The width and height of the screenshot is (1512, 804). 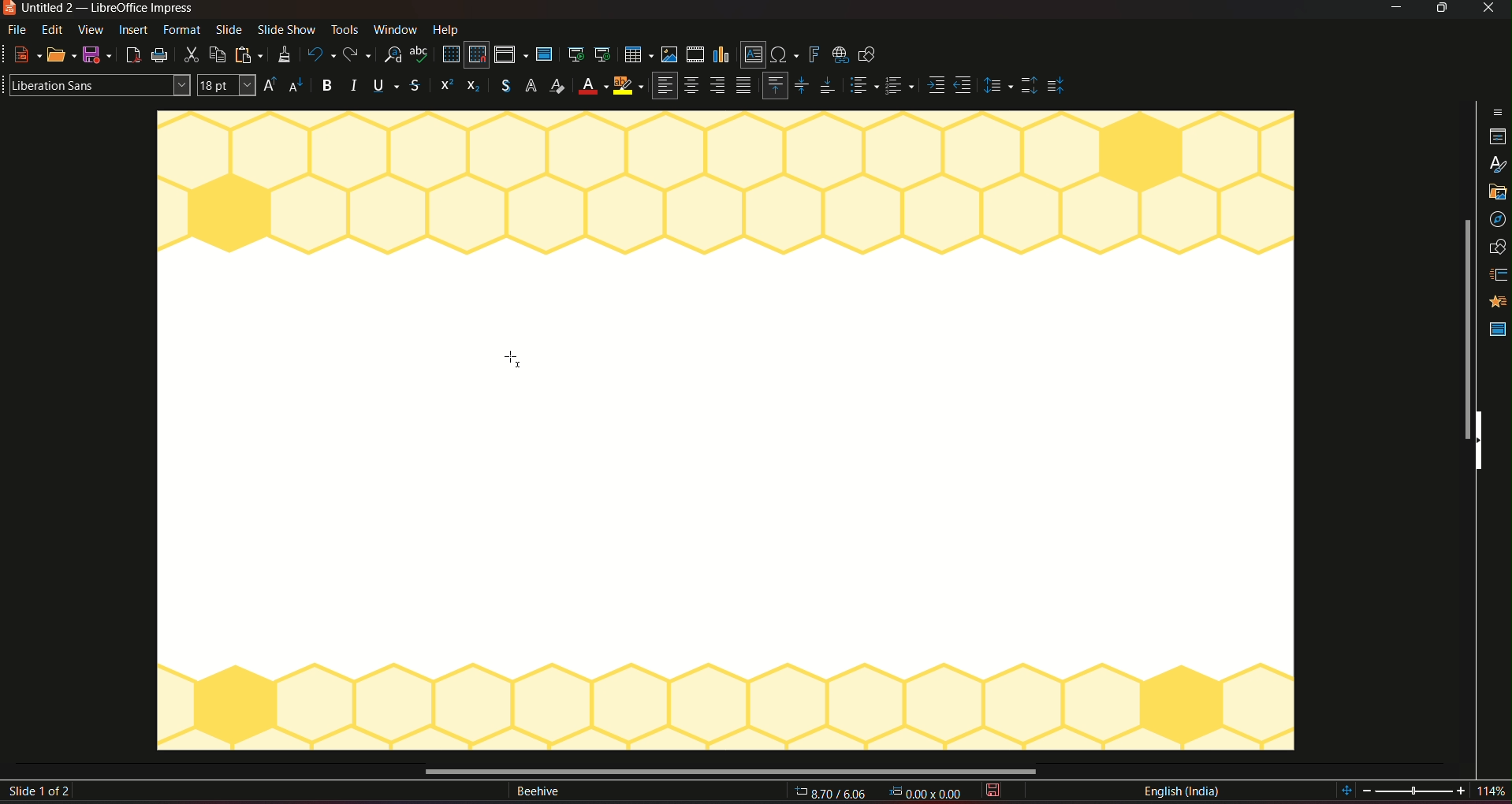 I want to click on slide, so click(x=228, y=31).